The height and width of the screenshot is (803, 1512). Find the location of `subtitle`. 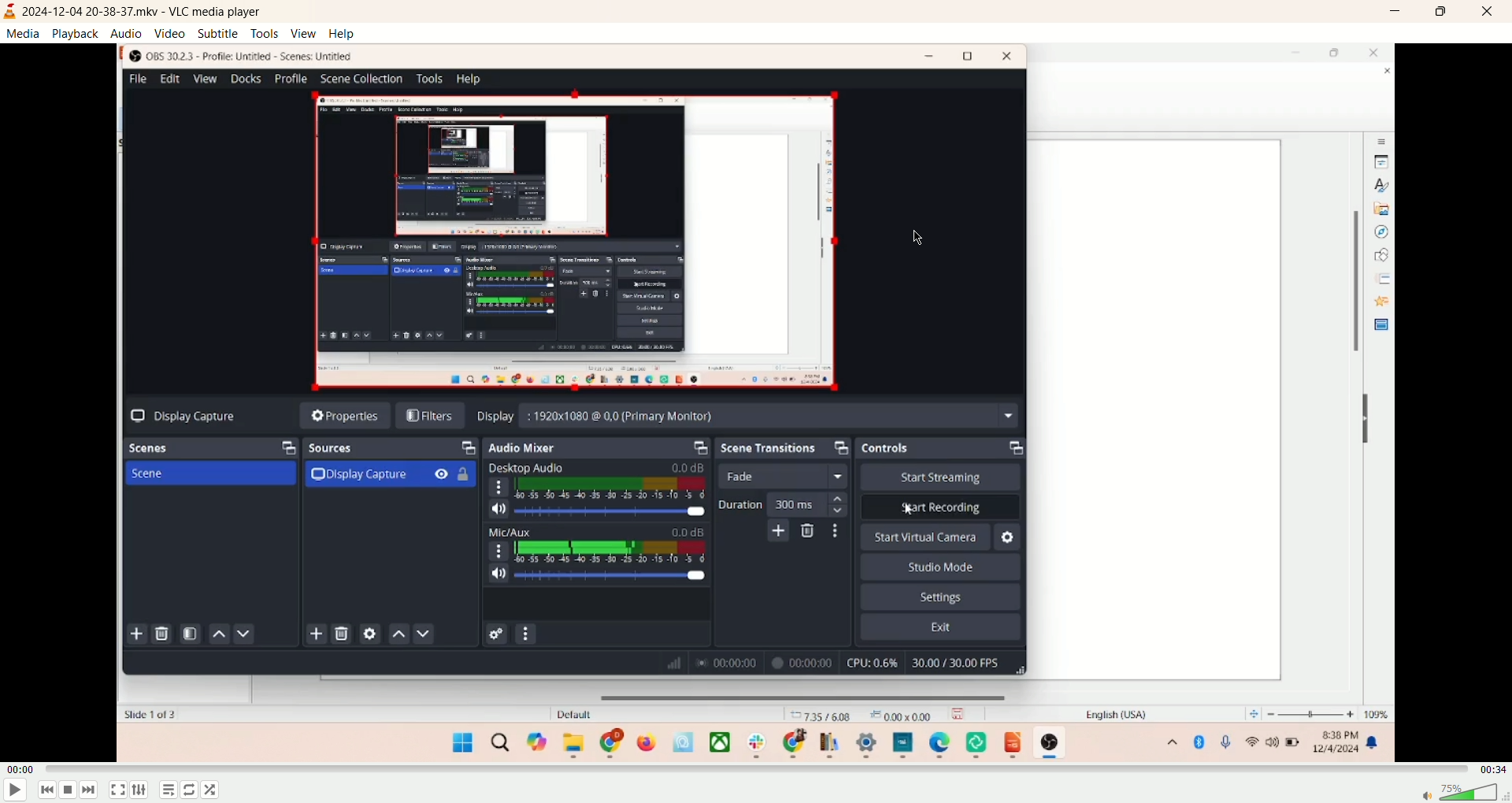

subtitle is located at coordinates (216, 32).